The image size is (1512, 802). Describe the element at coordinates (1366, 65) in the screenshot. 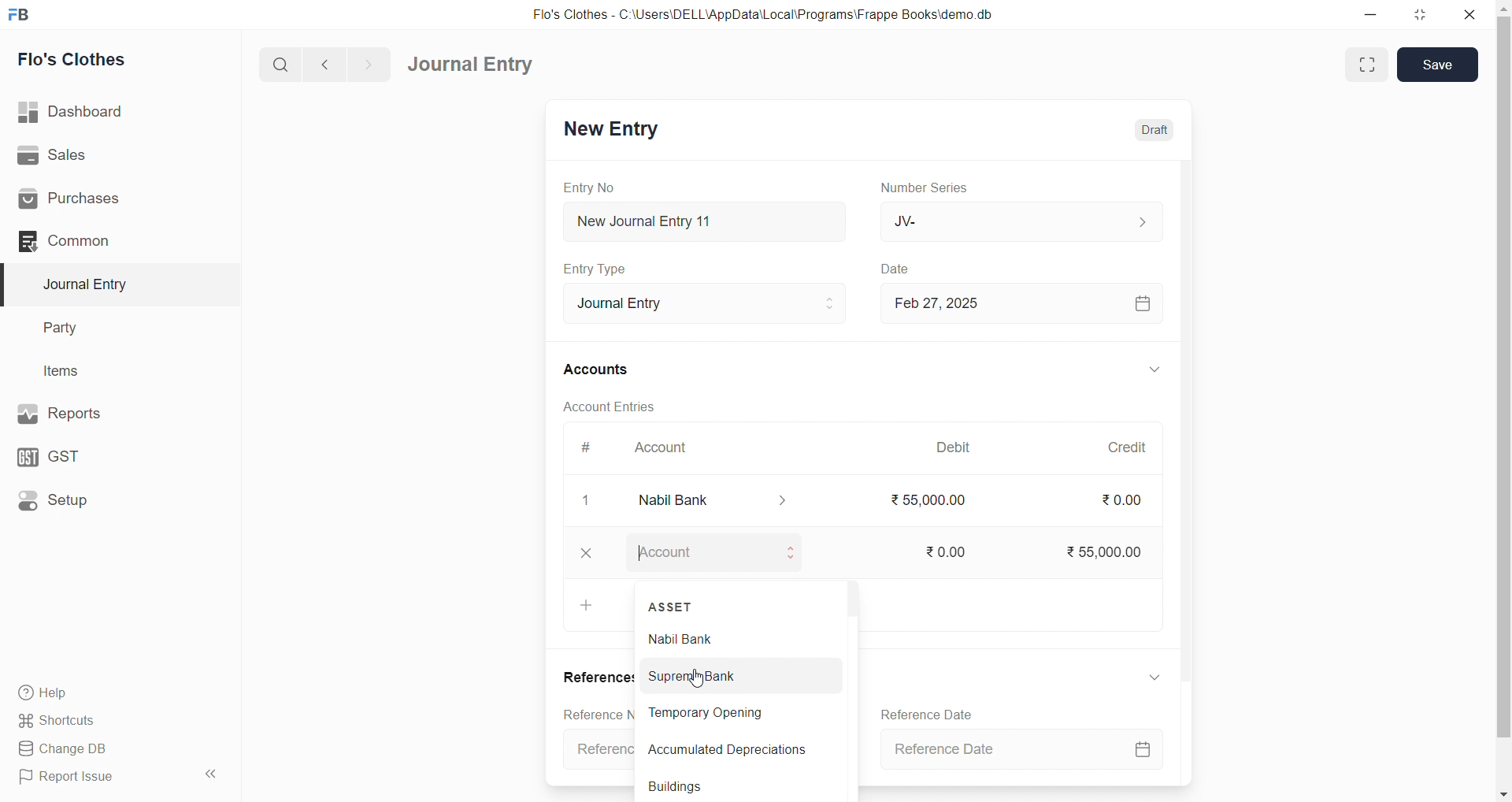

I see `Fit window` at that location.